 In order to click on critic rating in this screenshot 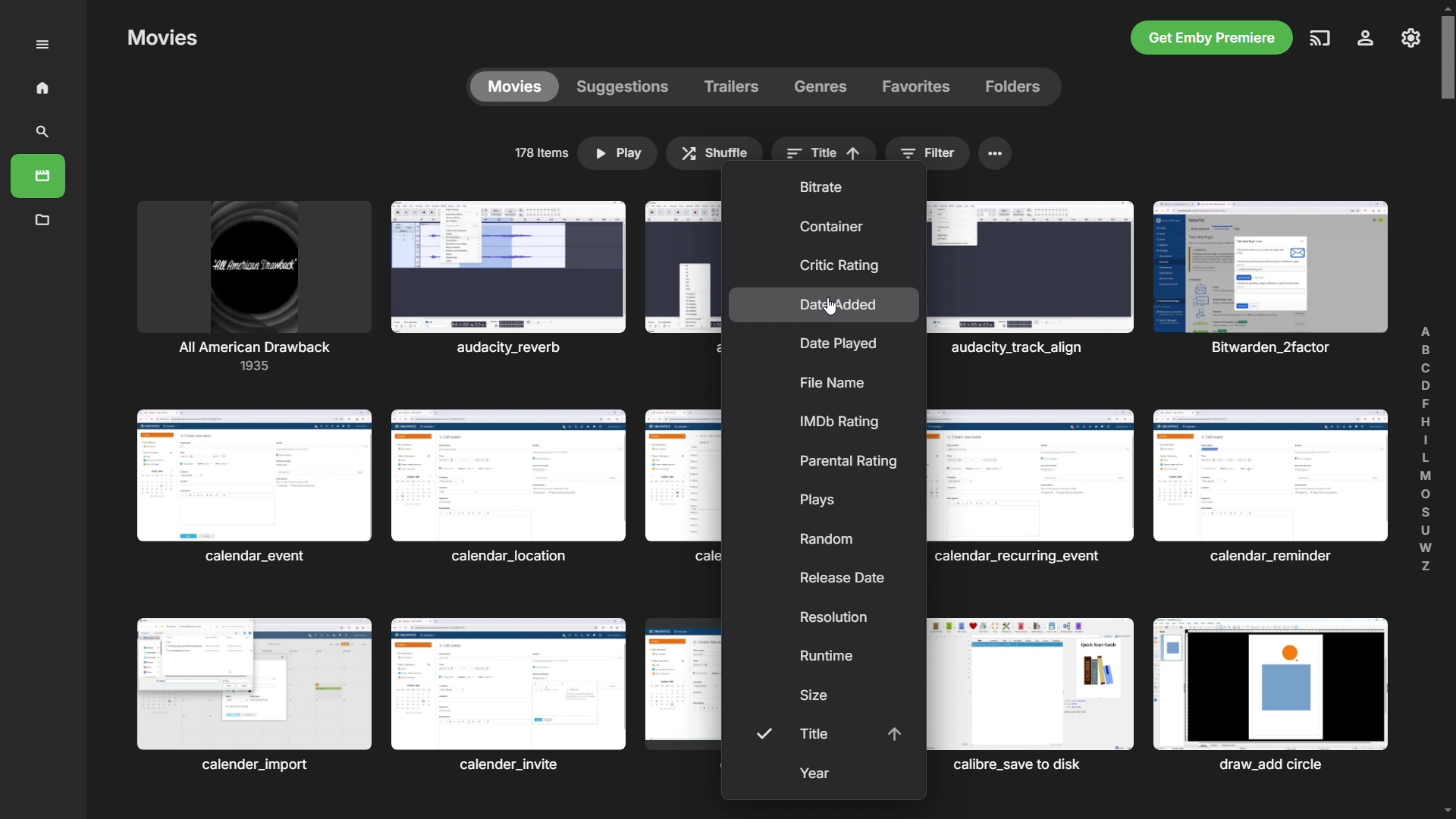, I will do `click(826, 264)`.